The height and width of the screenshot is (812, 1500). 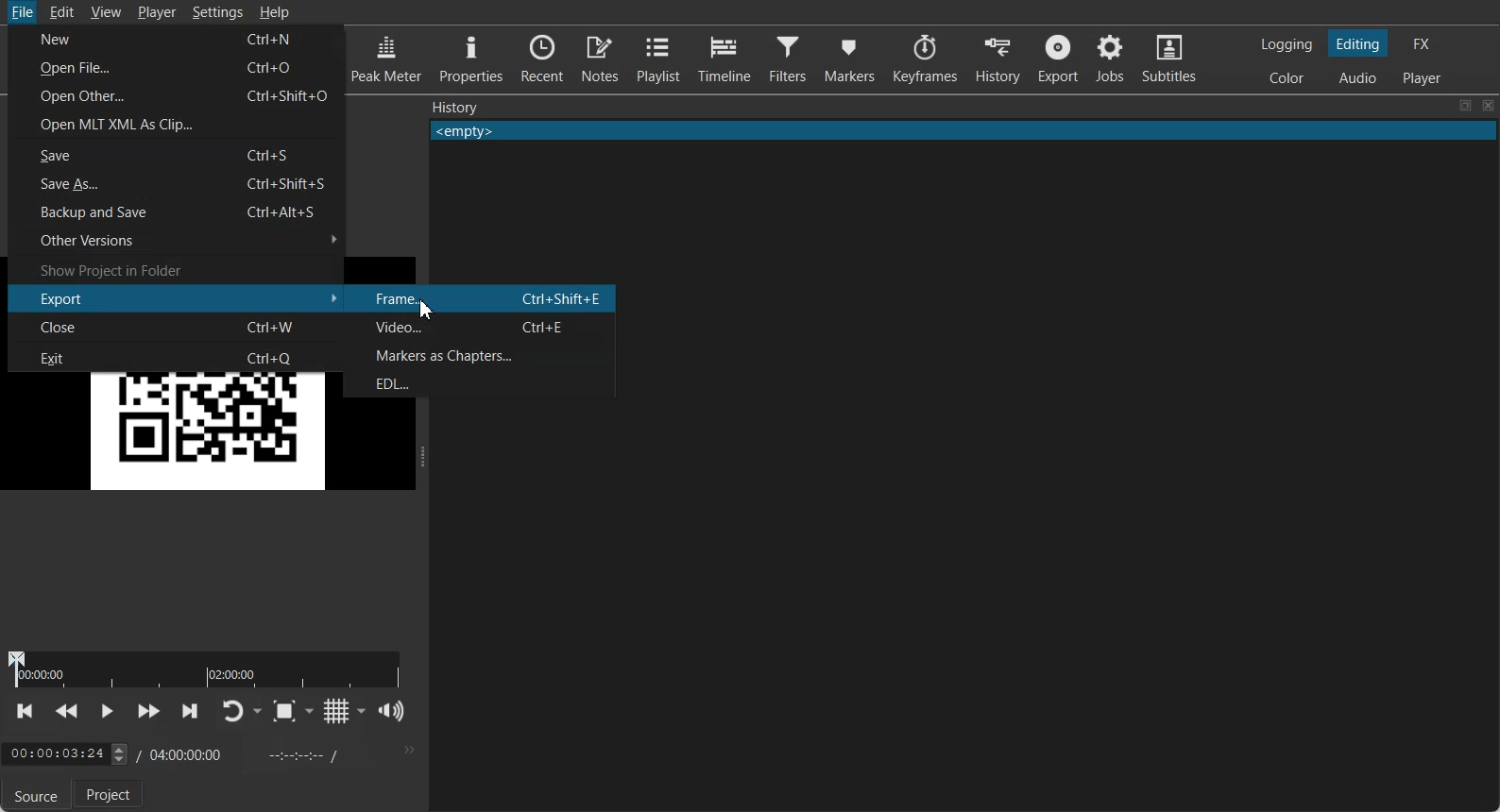 What do you see at coordinates (1057, 58) in the screenshot?
I see `Export` at bounding box center [1057, 58].